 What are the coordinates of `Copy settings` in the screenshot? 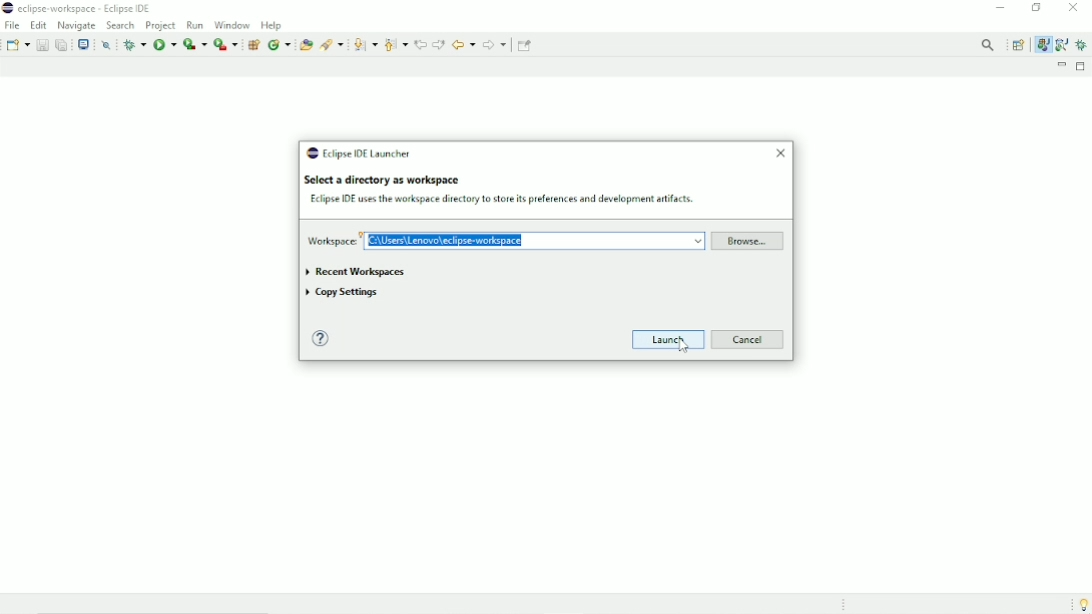 It's located at (348, 293).